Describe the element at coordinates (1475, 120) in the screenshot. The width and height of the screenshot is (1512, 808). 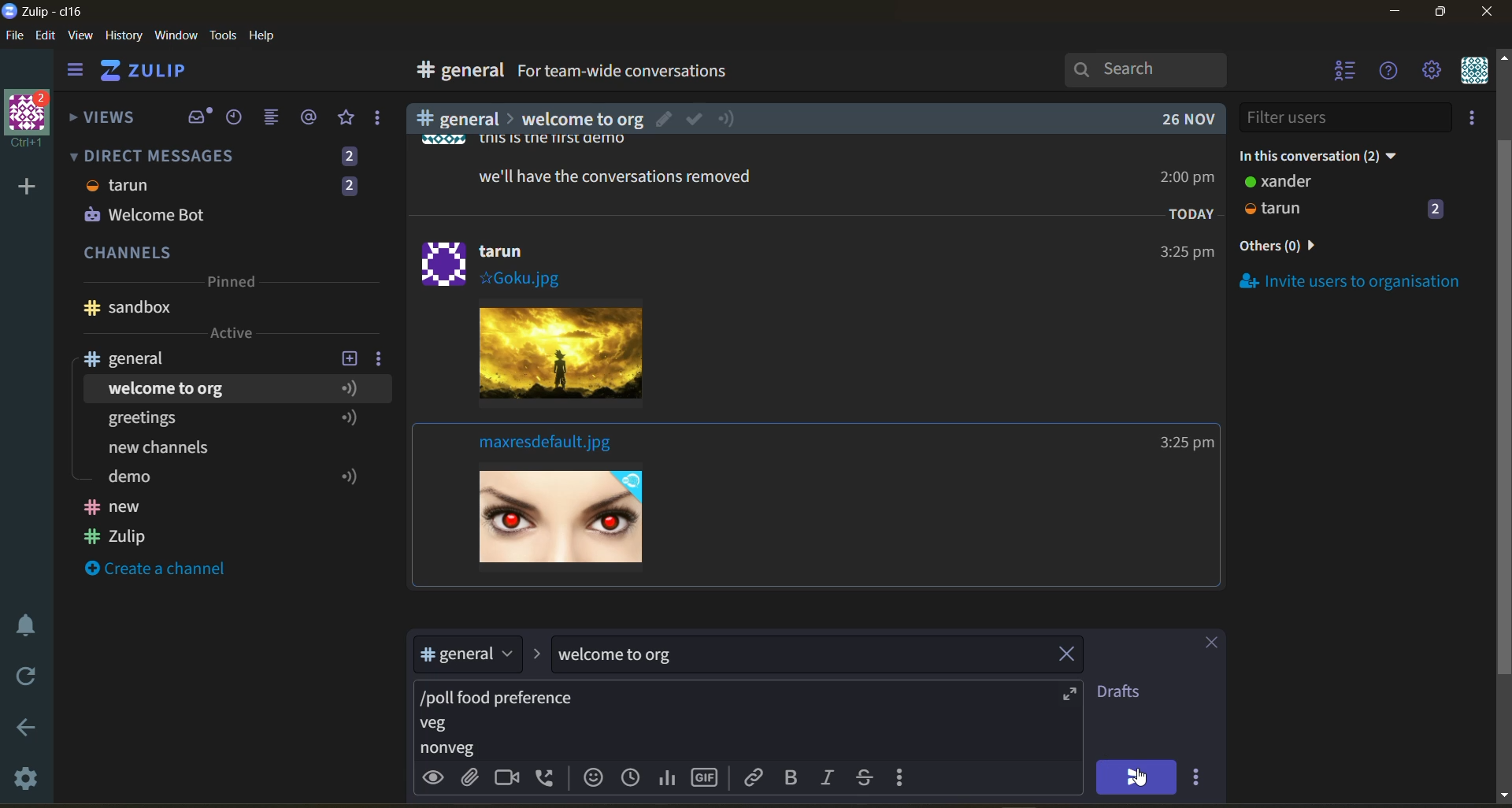
I see `invite users to organisation` at that location.